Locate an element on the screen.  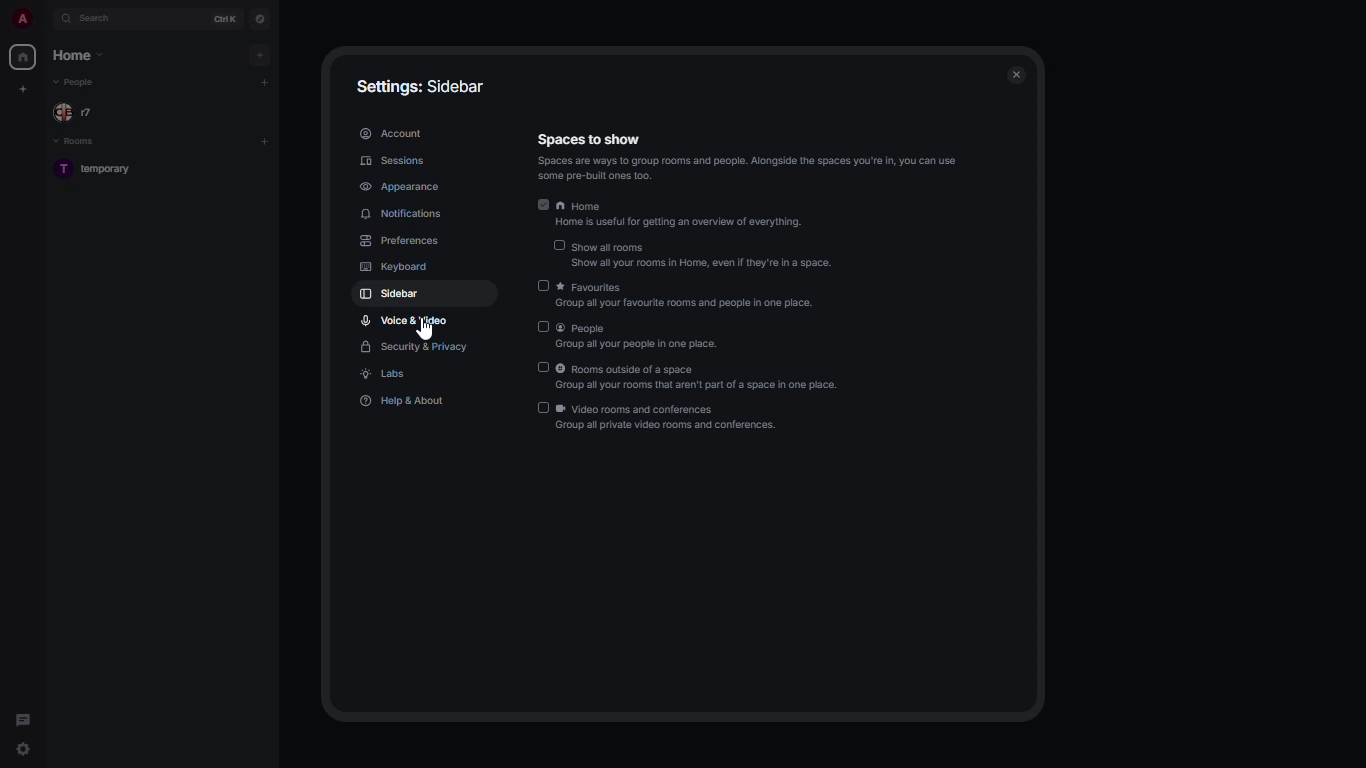
r7 is located at coordinates (81, 111).